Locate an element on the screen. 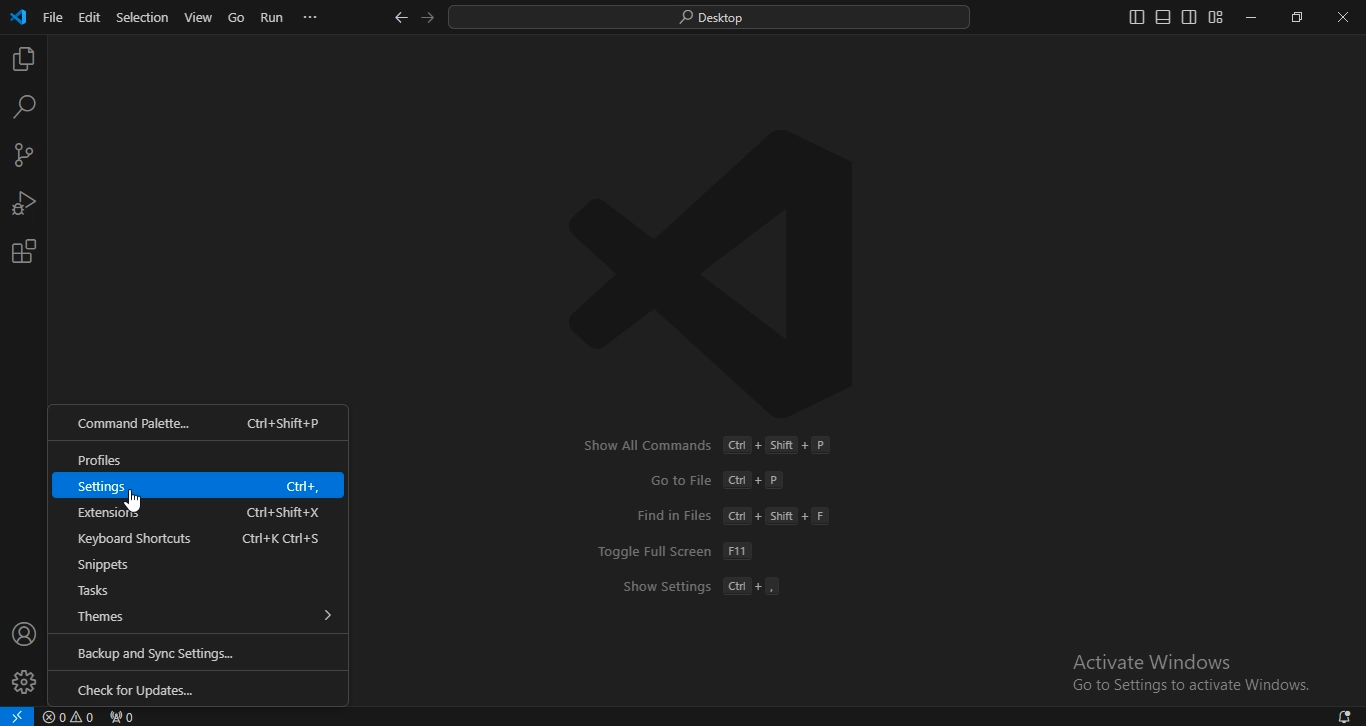 The image size is (1366, 726). text is located at coordinates (1193, 688).